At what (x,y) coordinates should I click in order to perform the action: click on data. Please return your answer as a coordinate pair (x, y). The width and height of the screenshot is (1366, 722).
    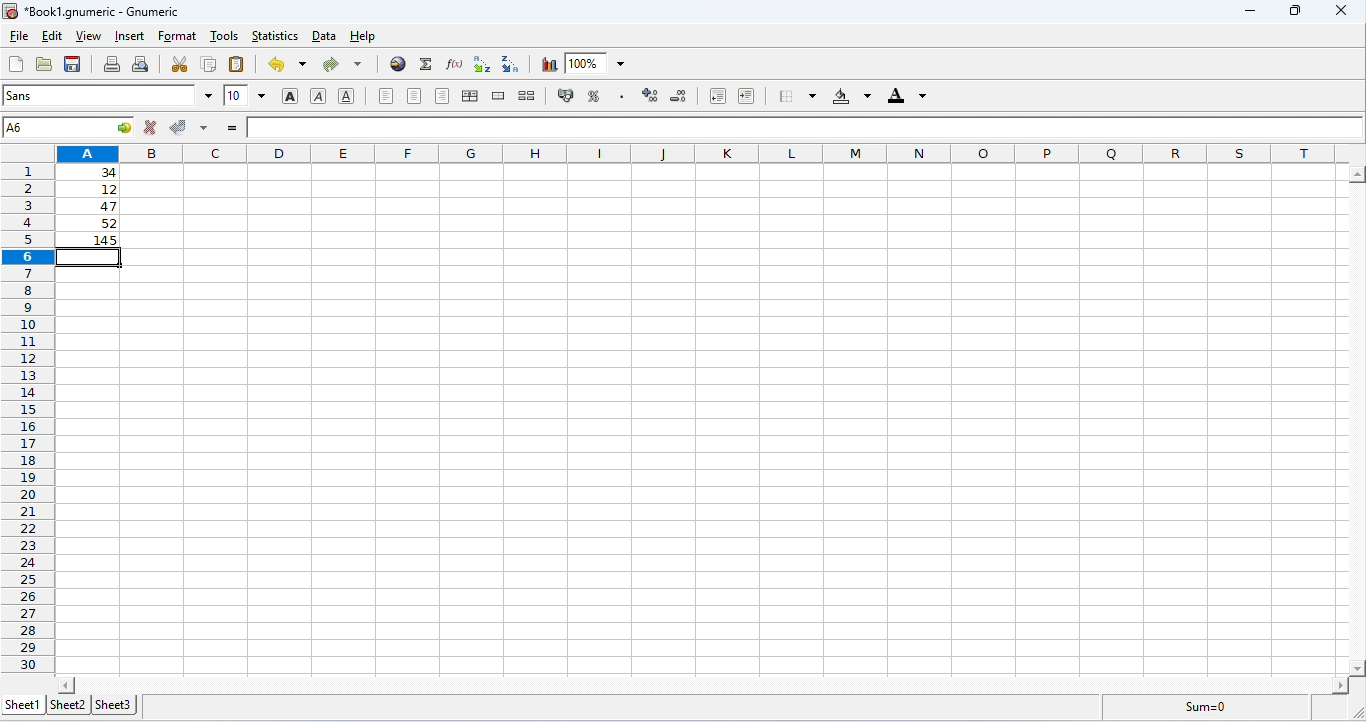
    Looking at the image, I should click on (326, 36).